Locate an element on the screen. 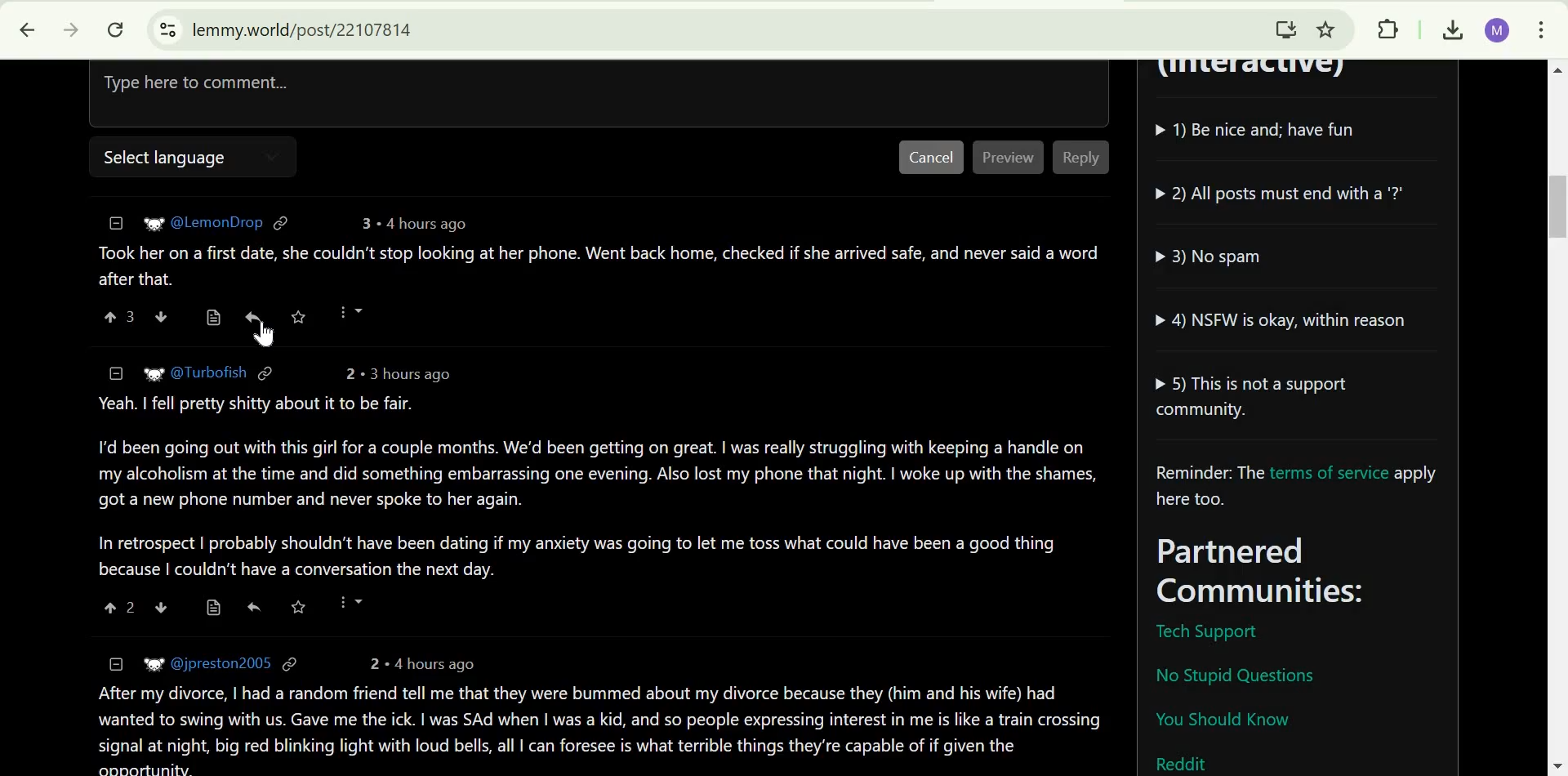 The image size is (1568, 776). link is located at coordinates (290, 663).